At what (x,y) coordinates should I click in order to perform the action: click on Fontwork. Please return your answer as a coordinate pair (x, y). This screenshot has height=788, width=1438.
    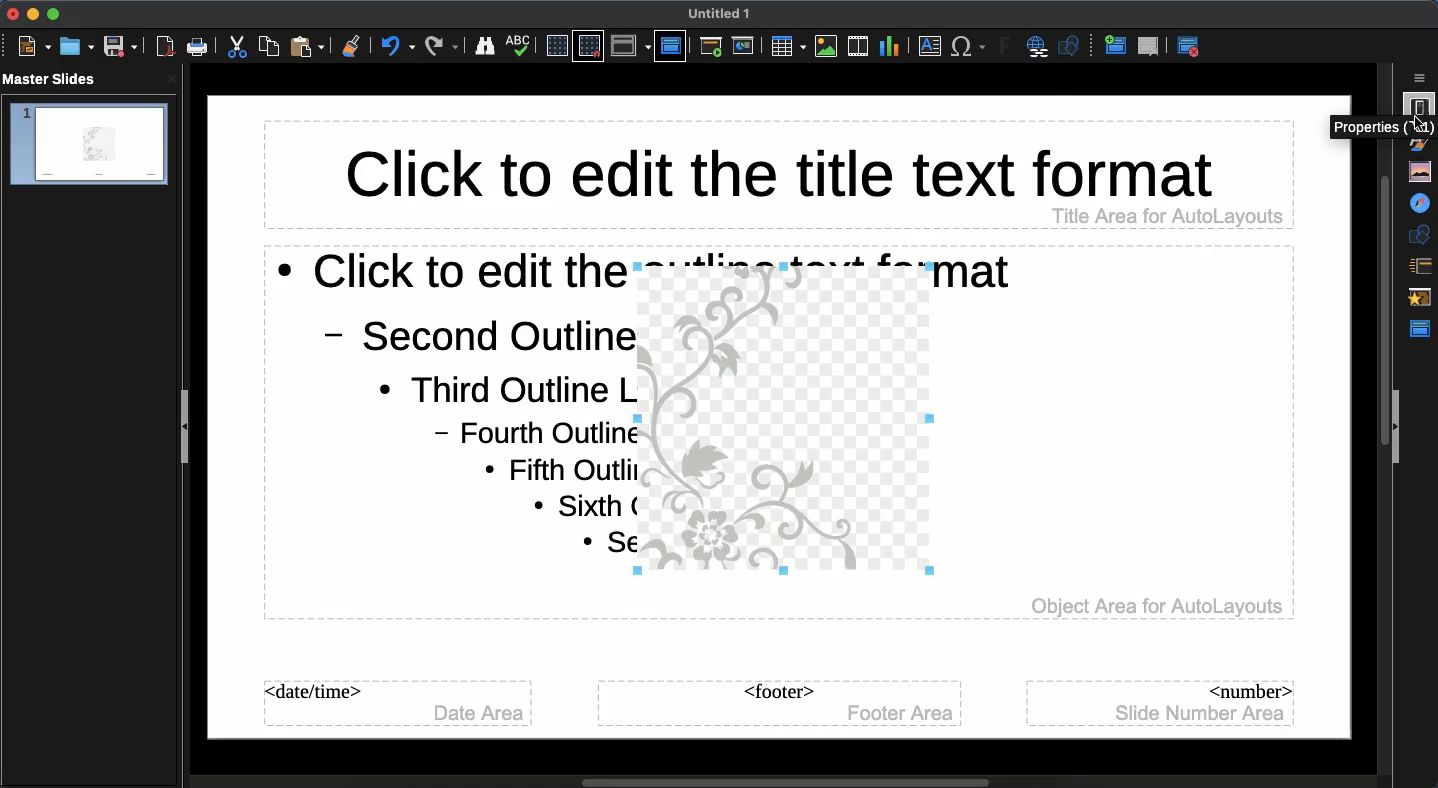
    Looking at the image, I should click on (1006, 49).